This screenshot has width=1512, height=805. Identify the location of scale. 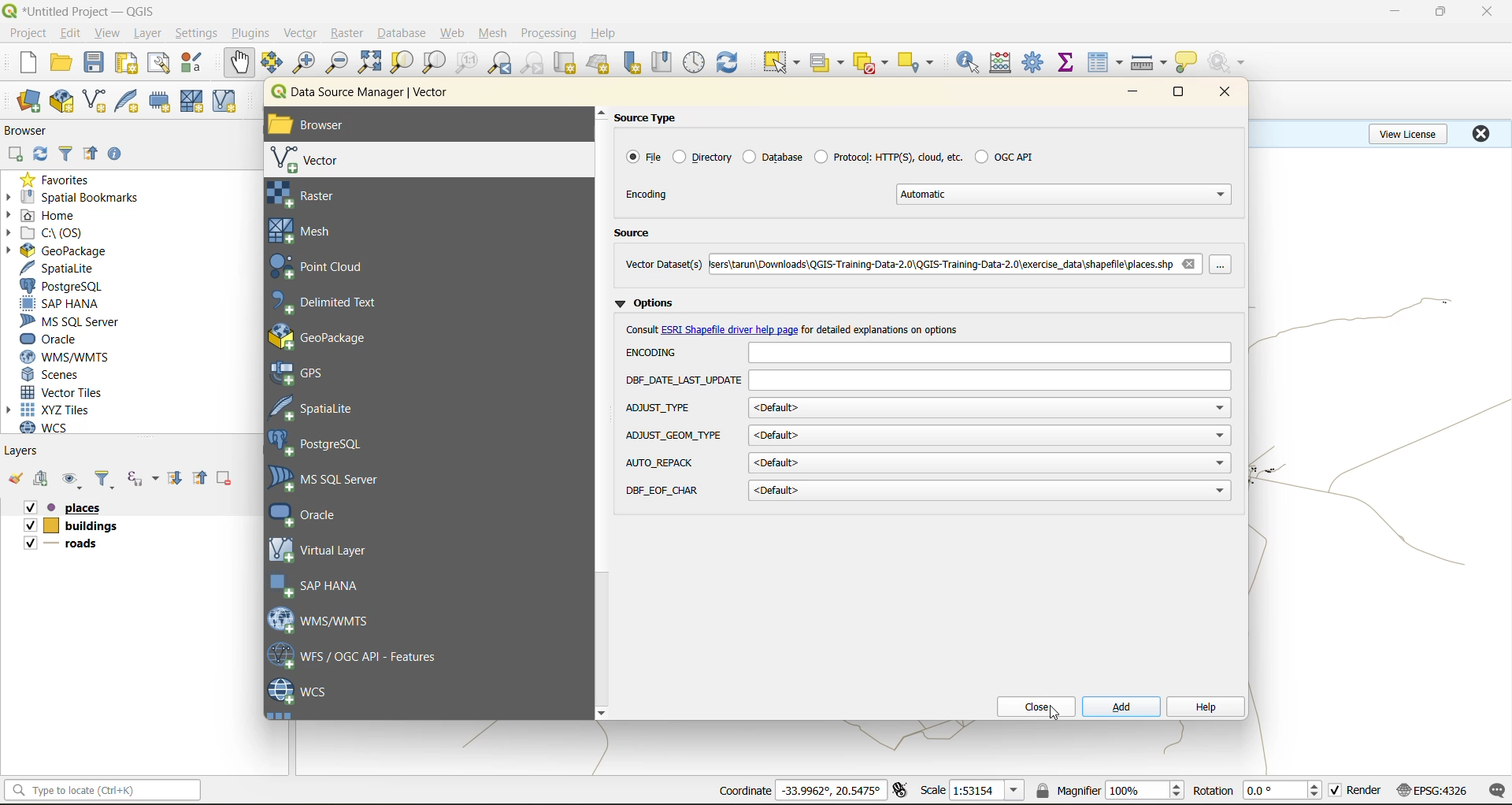
(986, 791).